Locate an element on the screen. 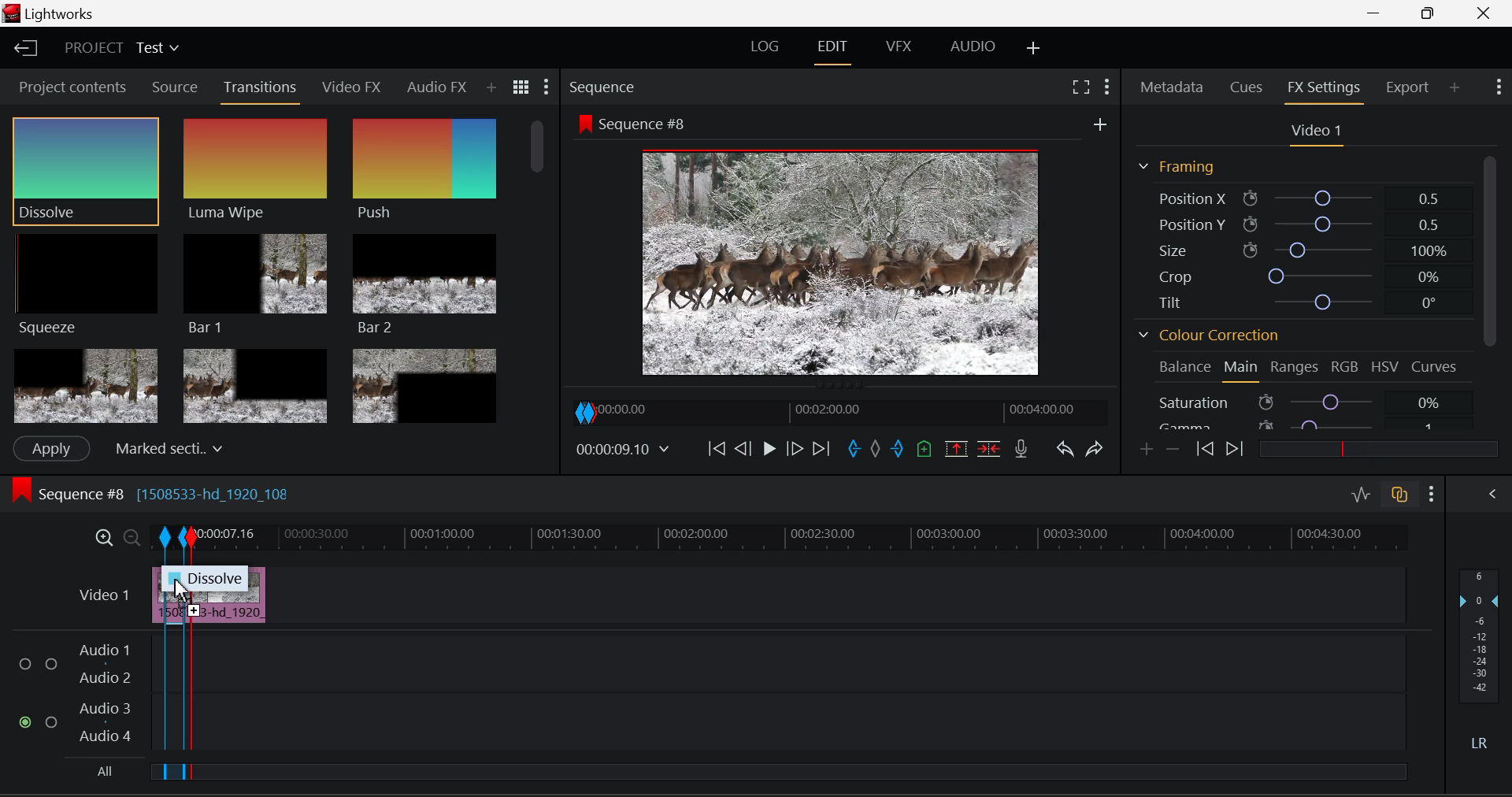 This screenshot has width=1512, height=797. Video Layer is located at coordinates (104, 595).